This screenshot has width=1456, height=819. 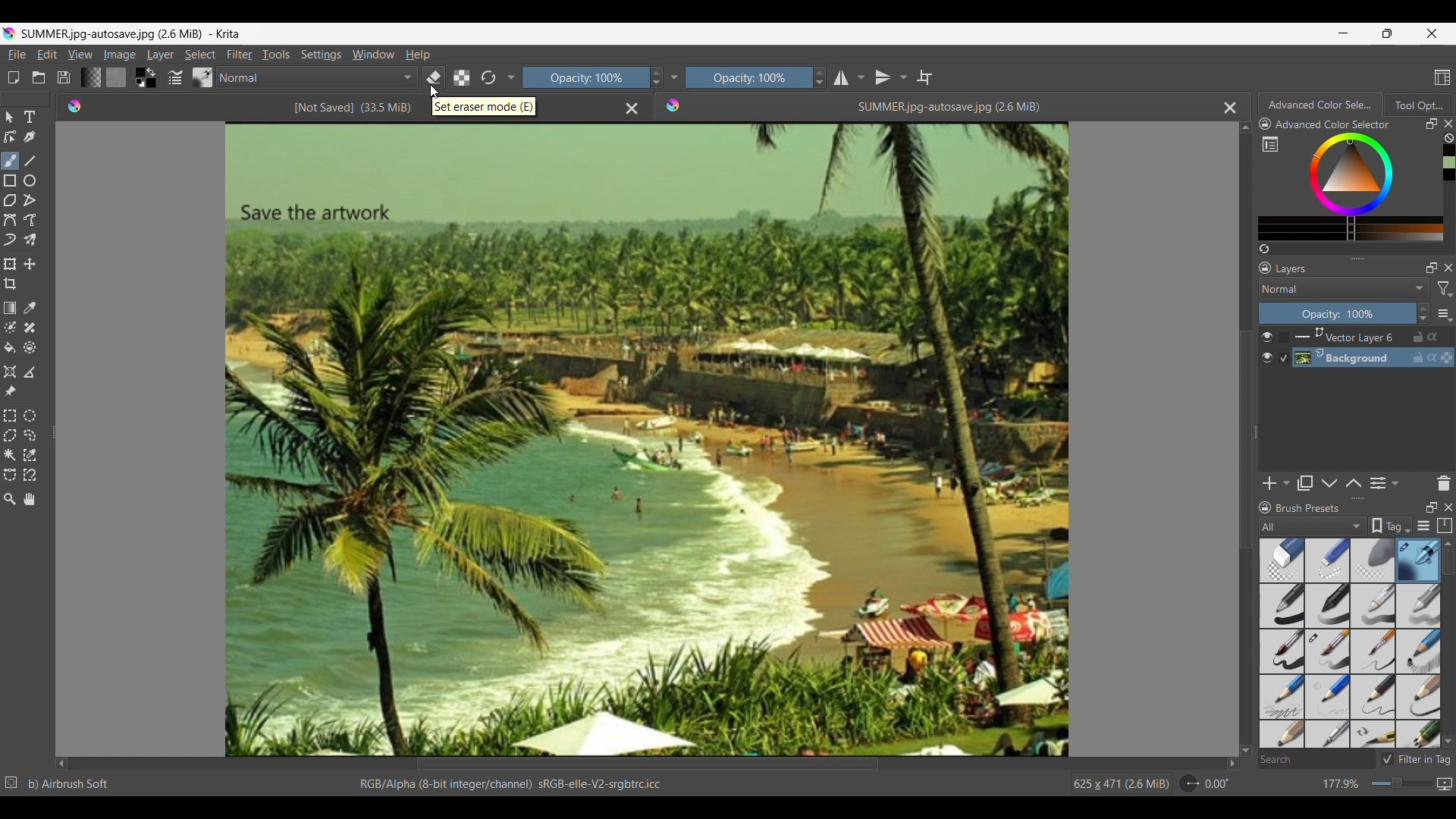 I want to click on Move layer down, so click(x=1329, y=483).